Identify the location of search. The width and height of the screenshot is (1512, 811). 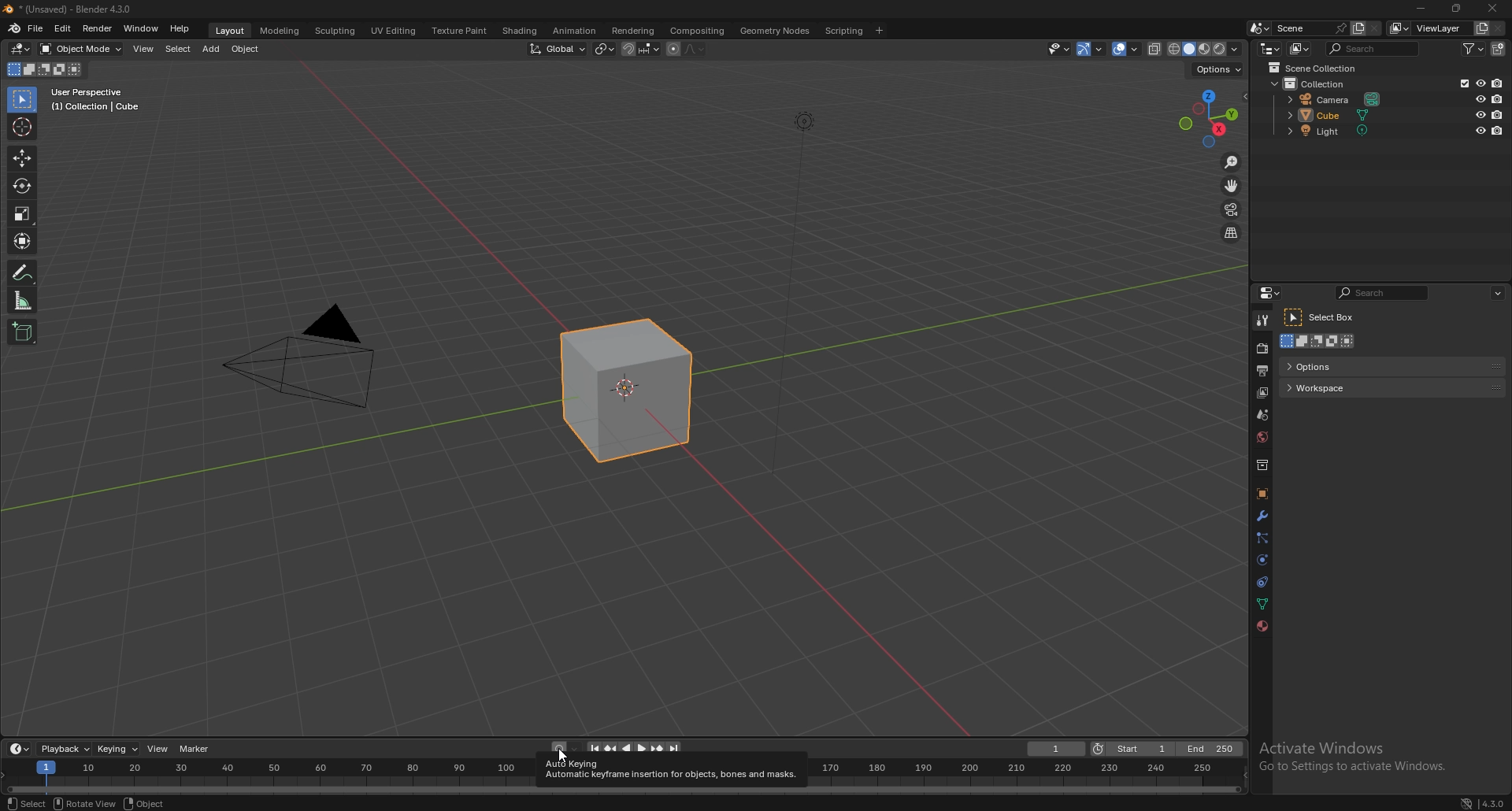
(1374, 49).